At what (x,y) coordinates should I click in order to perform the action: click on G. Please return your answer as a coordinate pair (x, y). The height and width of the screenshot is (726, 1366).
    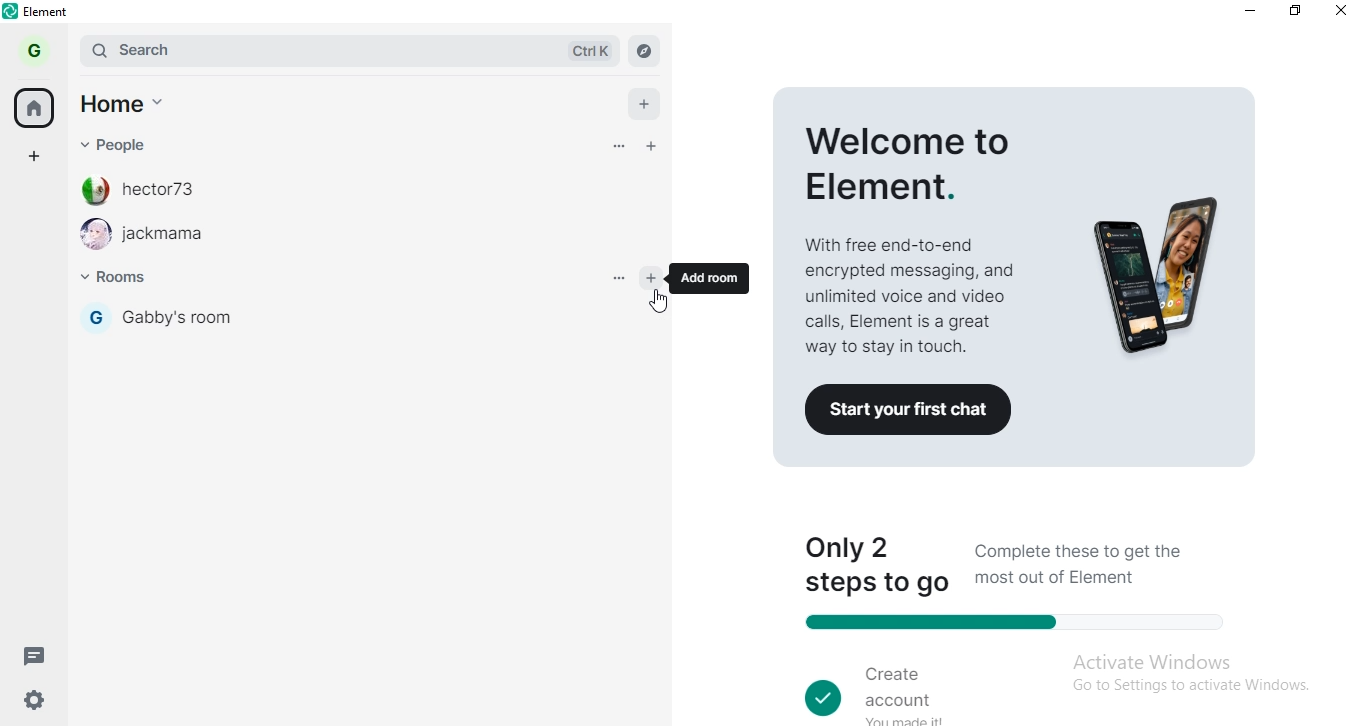
    Looking at the image, I should click on (94, 318).